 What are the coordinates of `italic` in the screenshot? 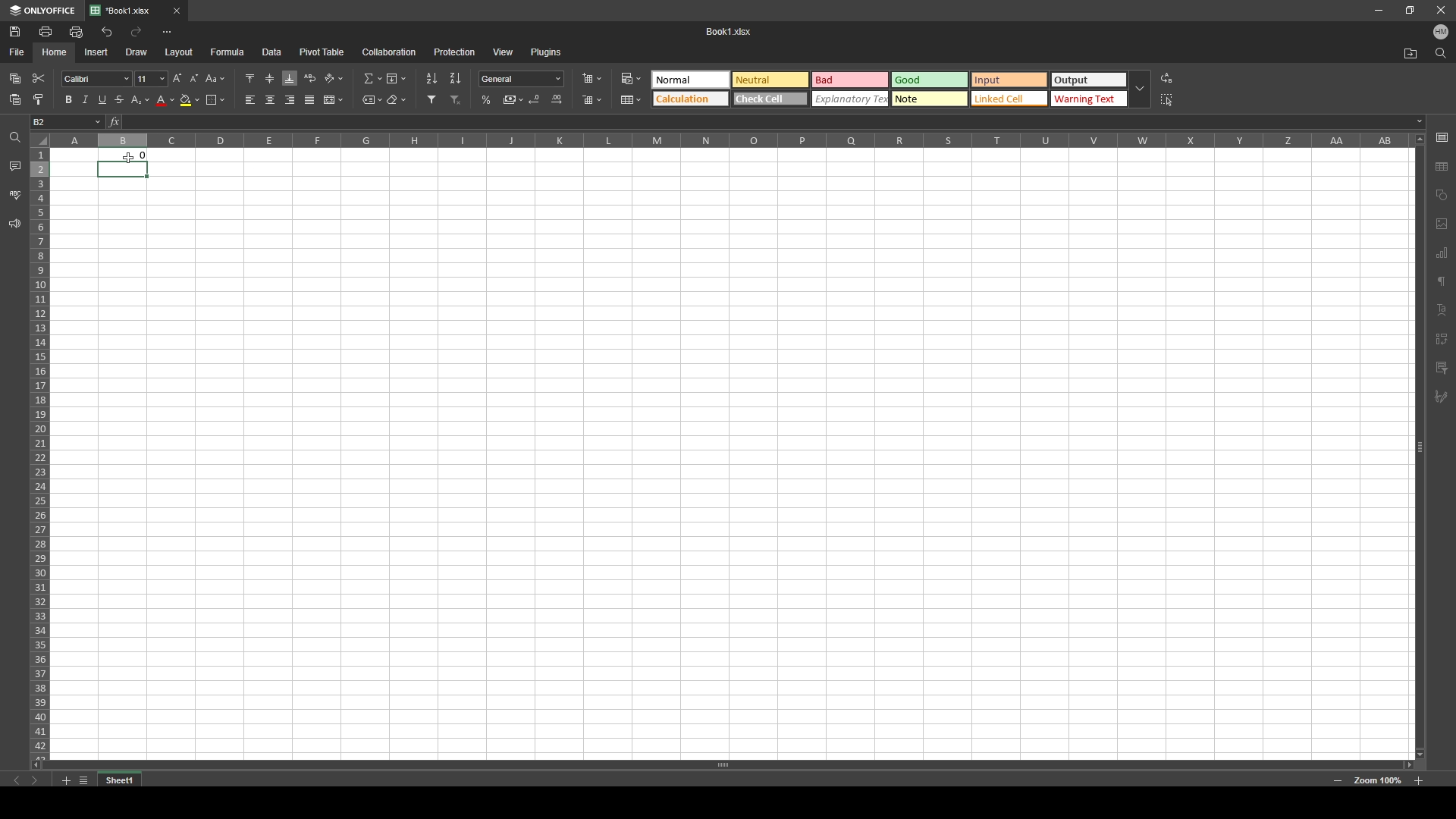 It's located at (85, 101).